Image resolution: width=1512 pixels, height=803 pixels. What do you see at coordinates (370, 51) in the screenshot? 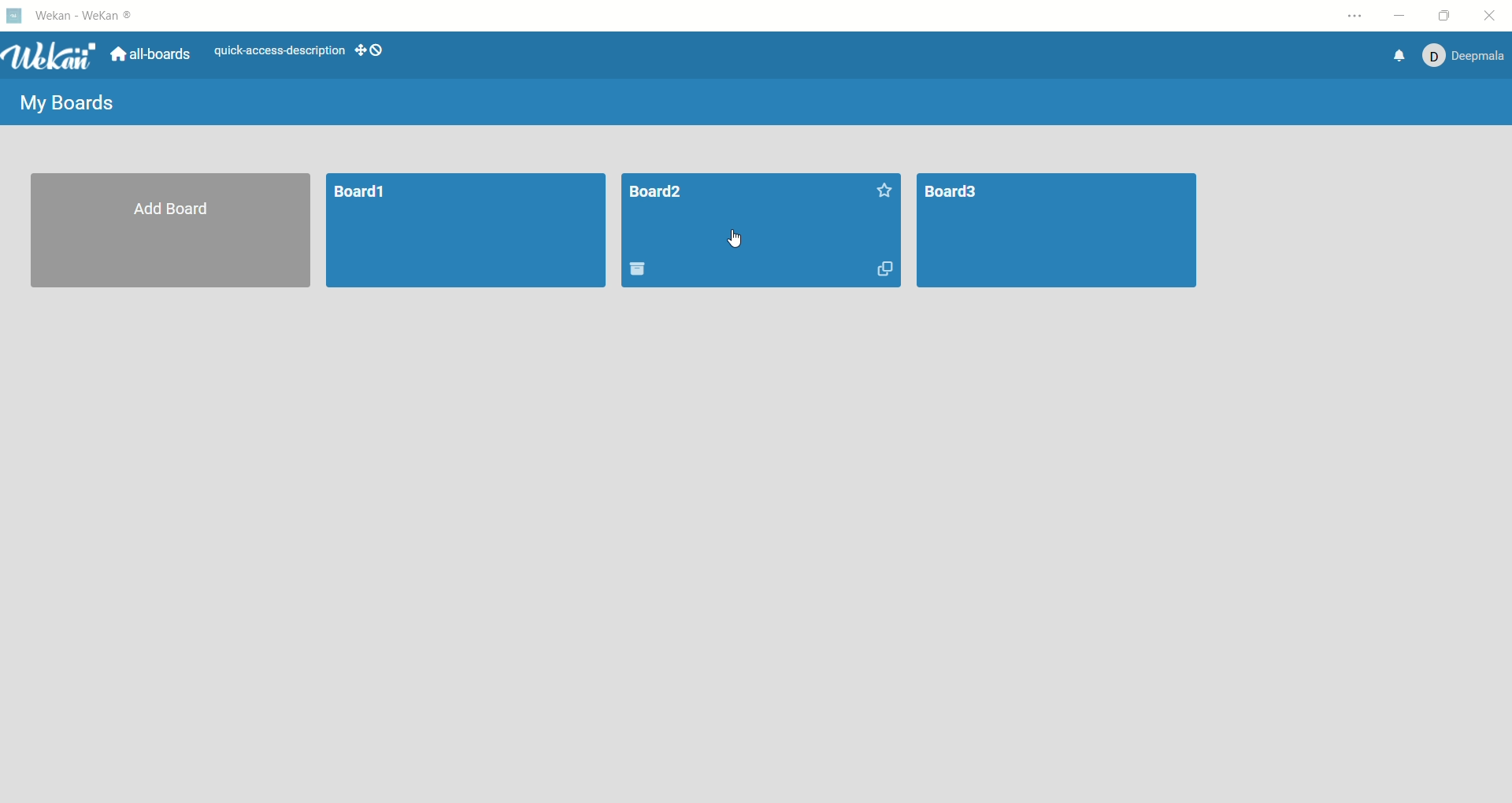
I see `SHOW-DESKTOP-DRAG-HANDLES` at bounding box center [370, 51].